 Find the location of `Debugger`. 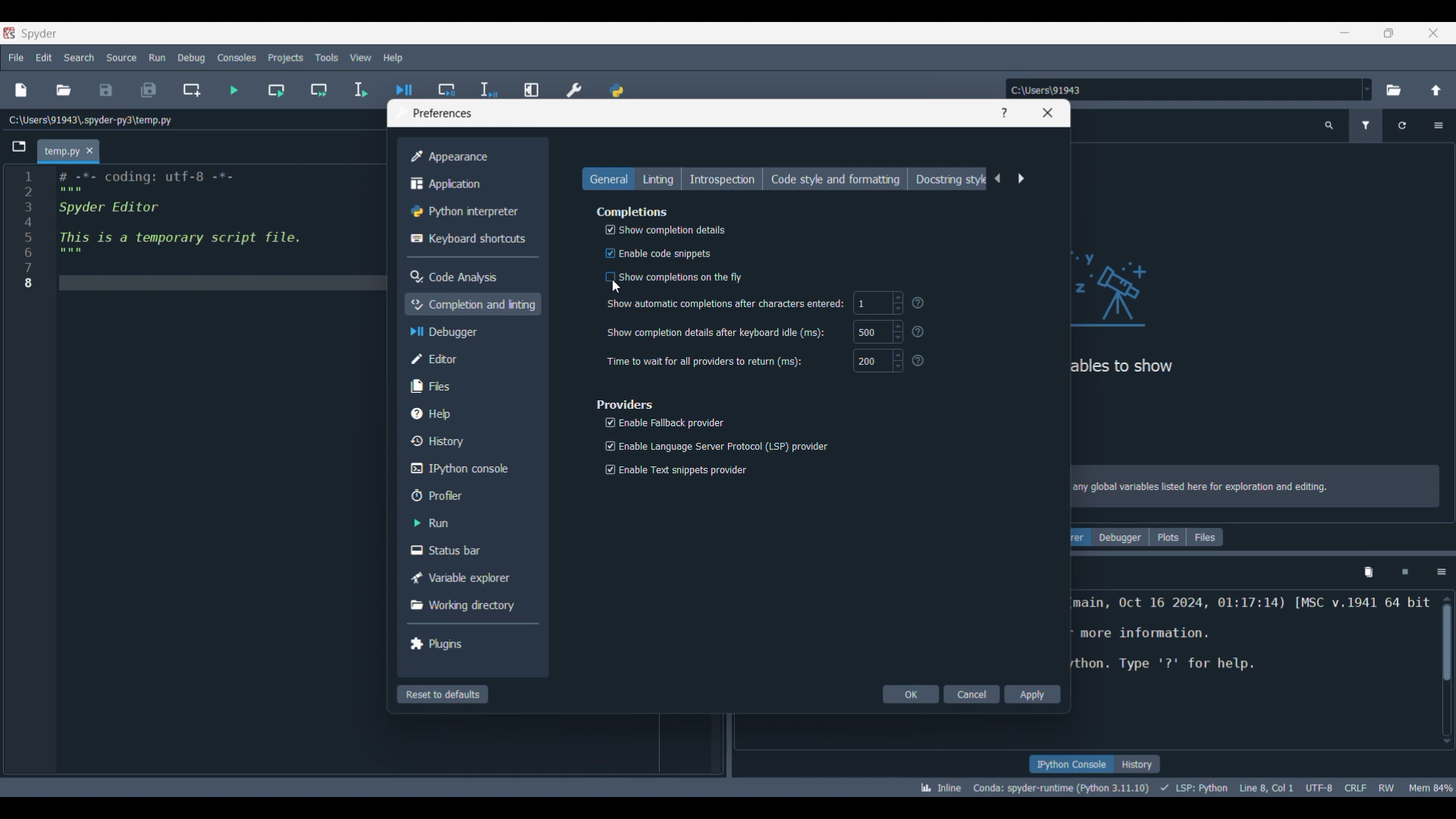

Debugger is located at coordinates (472, 331).